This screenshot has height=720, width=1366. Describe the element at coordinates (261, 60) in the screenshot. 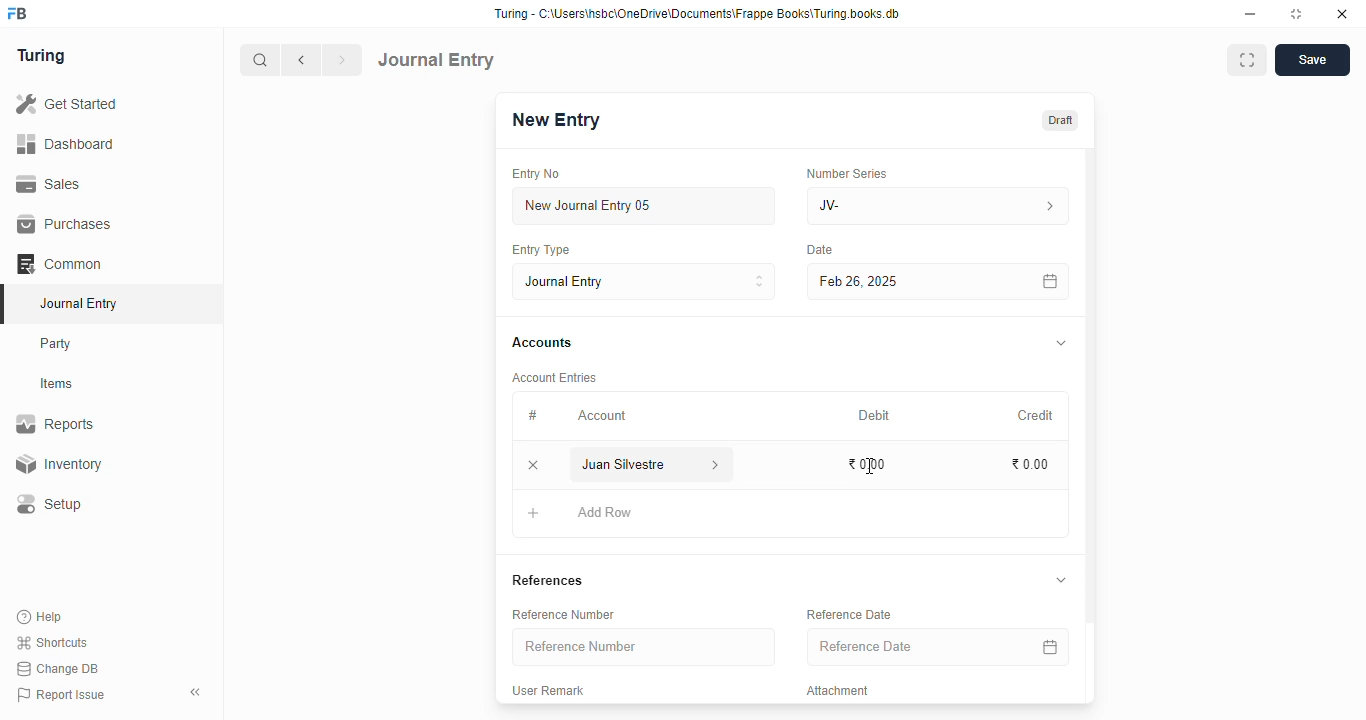

I see `search` at that location.